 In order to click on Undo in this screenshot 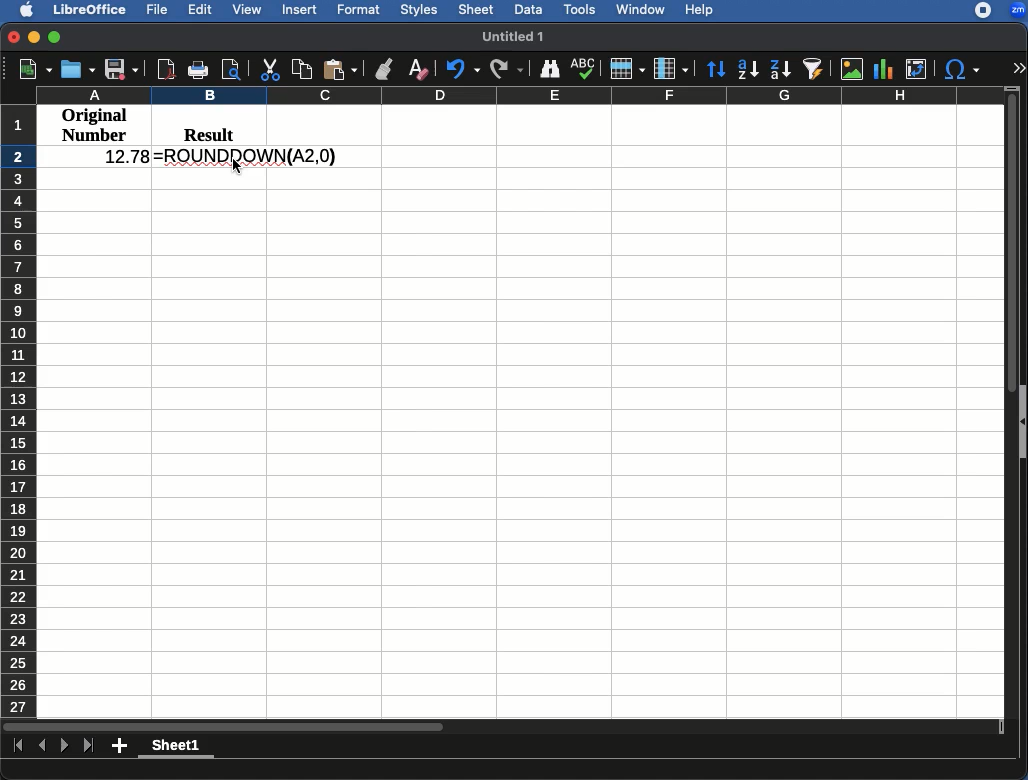, I will do `click(461, 69)`.